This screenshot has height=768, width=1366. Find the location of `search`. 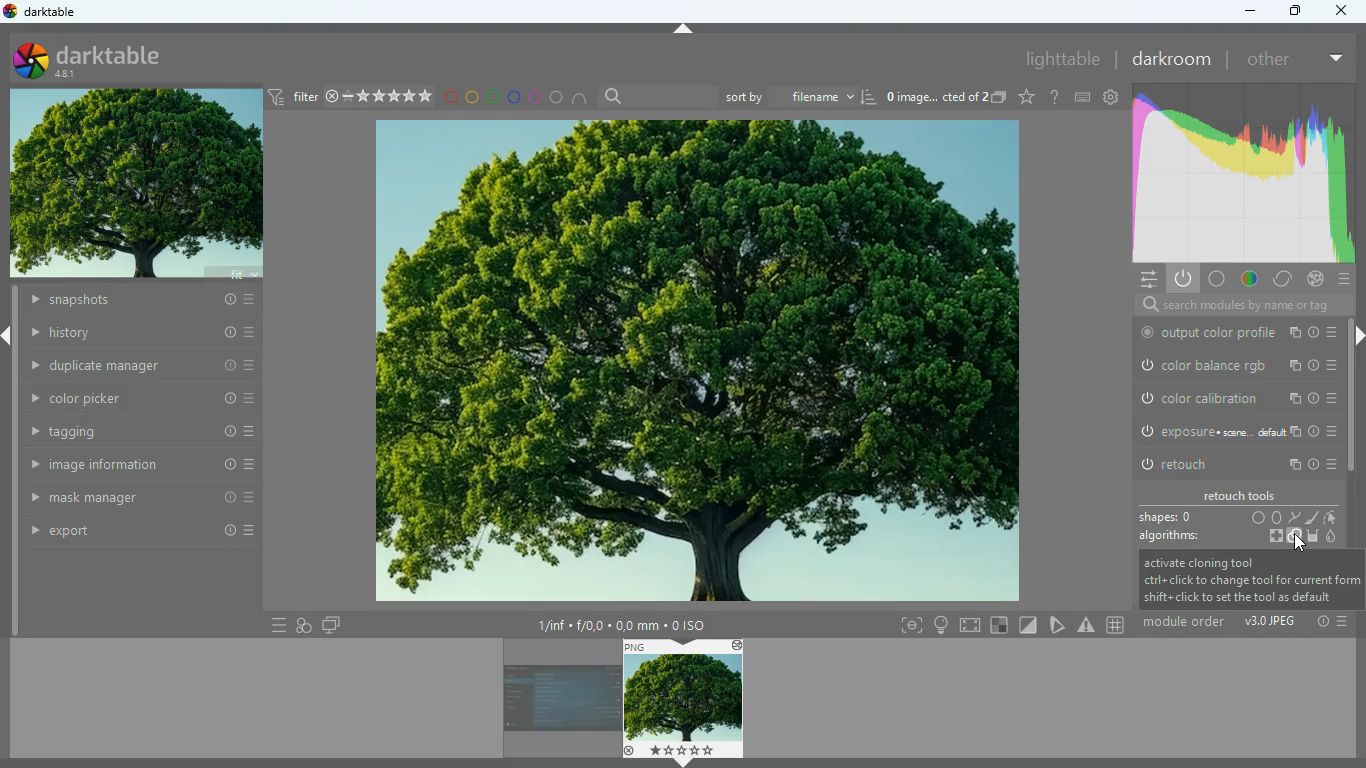

search is located at coordinates (657, 97).